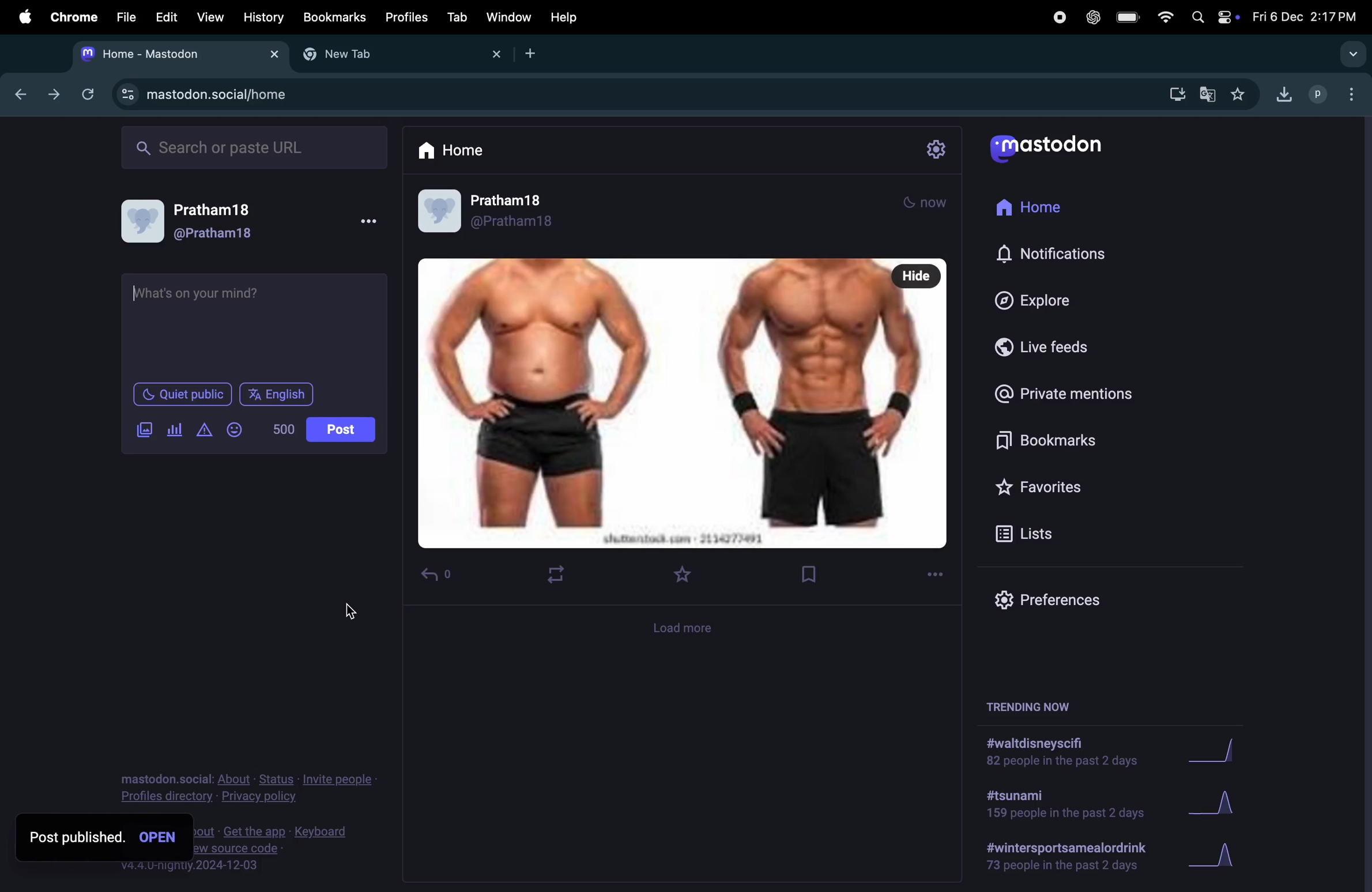 The width and height of the screenshot is (1372, 892). What do you see at coordinates (257, 325) in the screenshot?
I see `text box` at bounding box center [257, 325].